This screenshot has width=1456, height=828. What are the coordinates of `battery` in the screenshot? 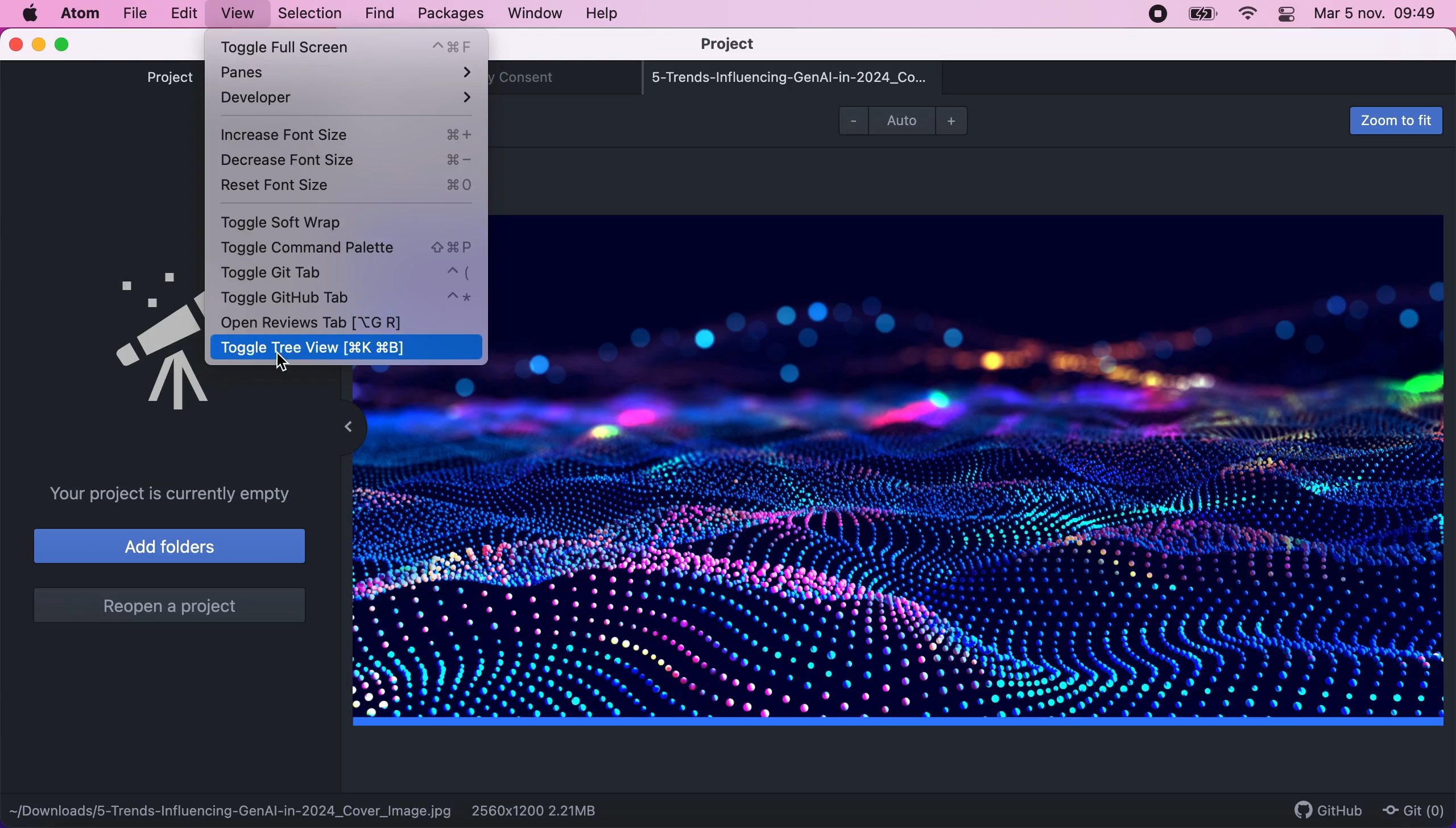 It's located at (1201, 15).